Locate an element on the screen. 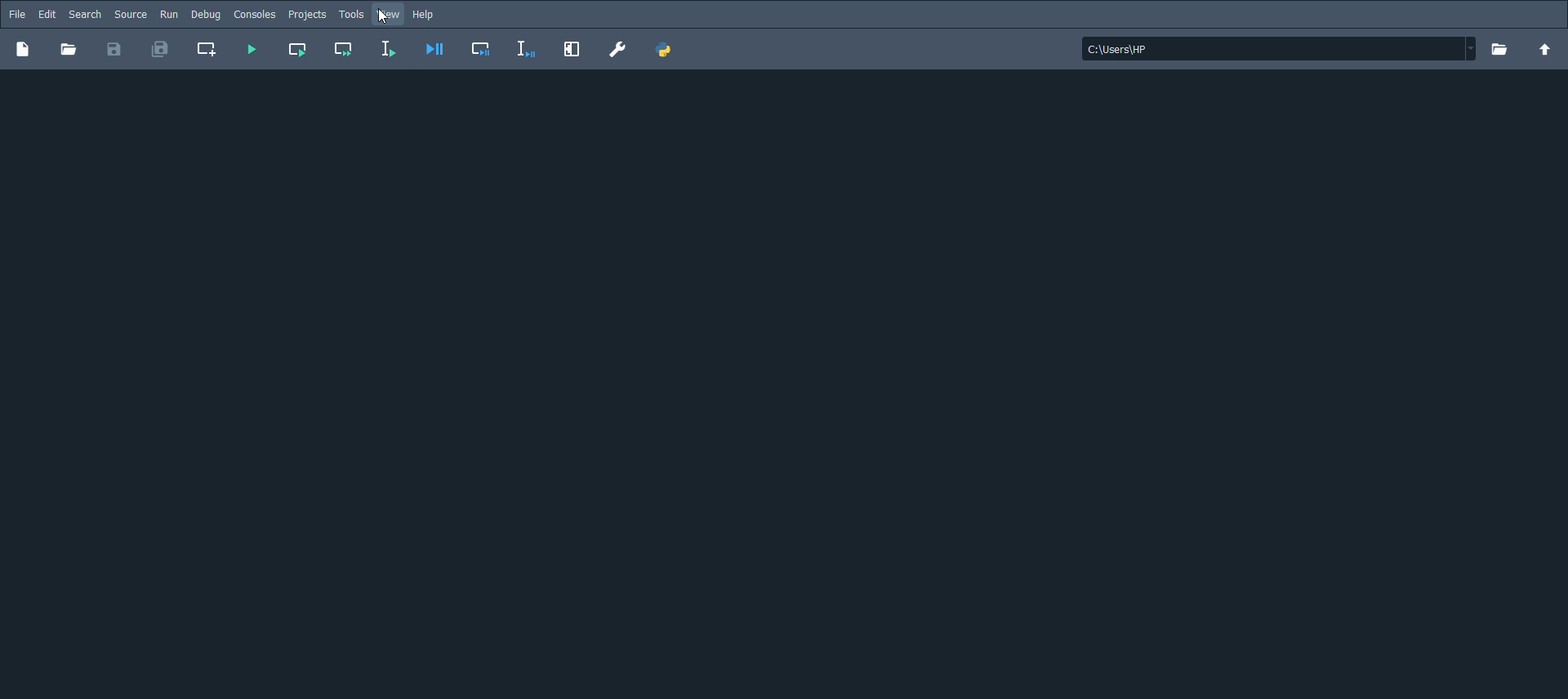 The height and width of the screenshot is (699, 1568). Save all files is located at coordinates (159, 49).